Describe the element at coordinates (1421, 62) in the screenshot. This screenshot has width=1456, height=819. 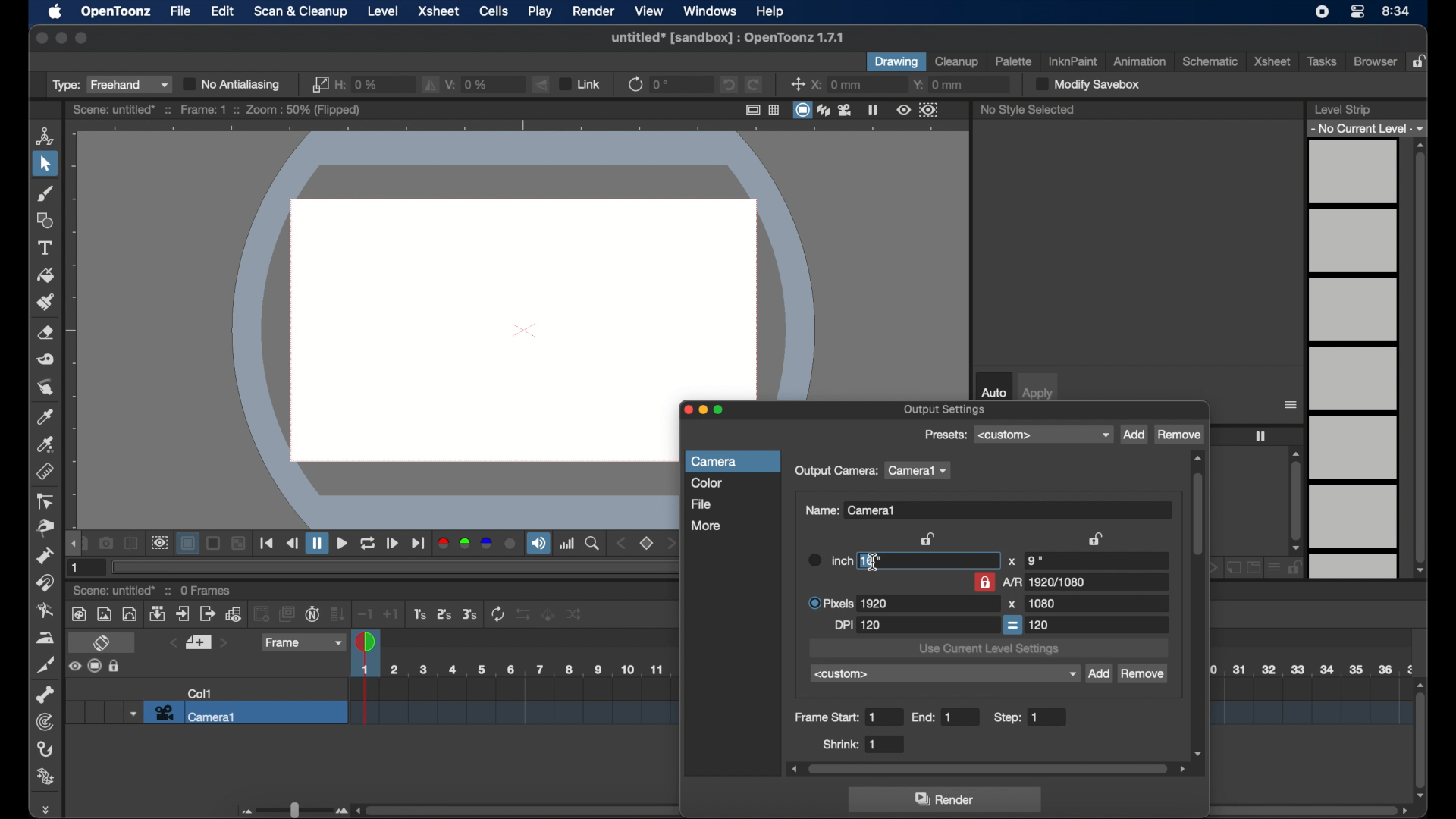
I see `lock` at that location.